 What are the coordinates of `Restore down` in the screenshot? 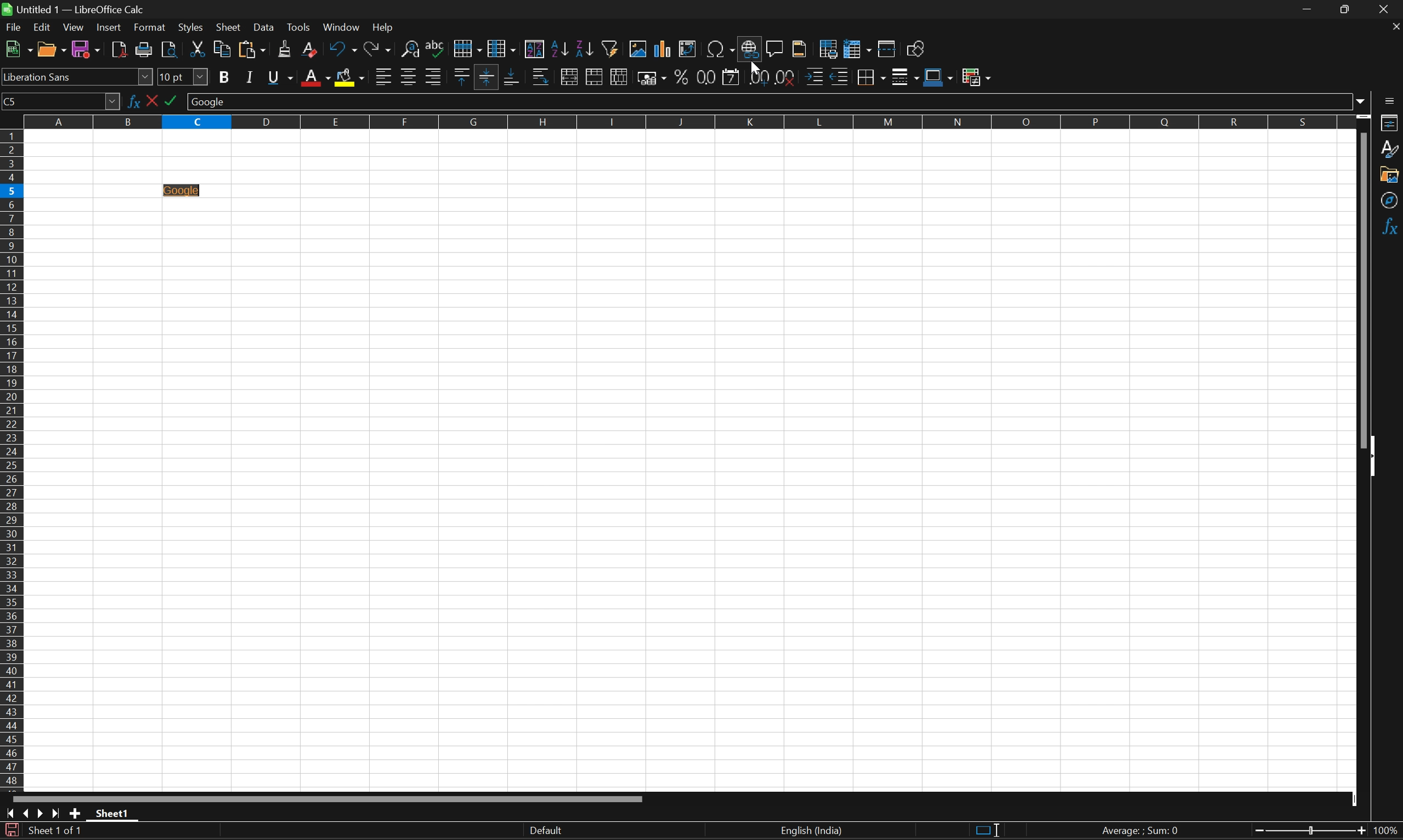 It's located at (1345, 11).